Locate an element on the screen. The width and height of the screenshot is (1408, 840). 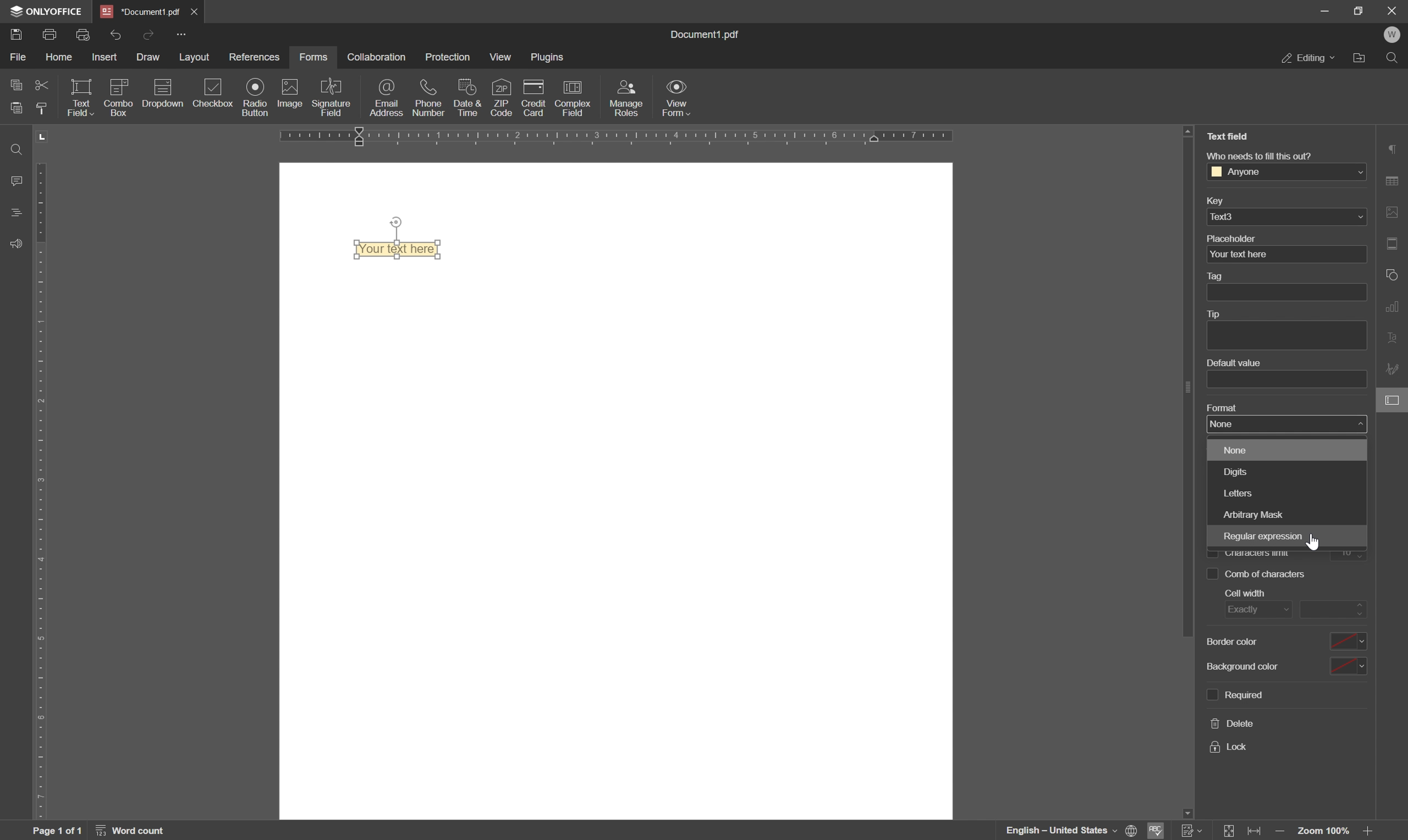
ruler is located at coordinates (659, 138).